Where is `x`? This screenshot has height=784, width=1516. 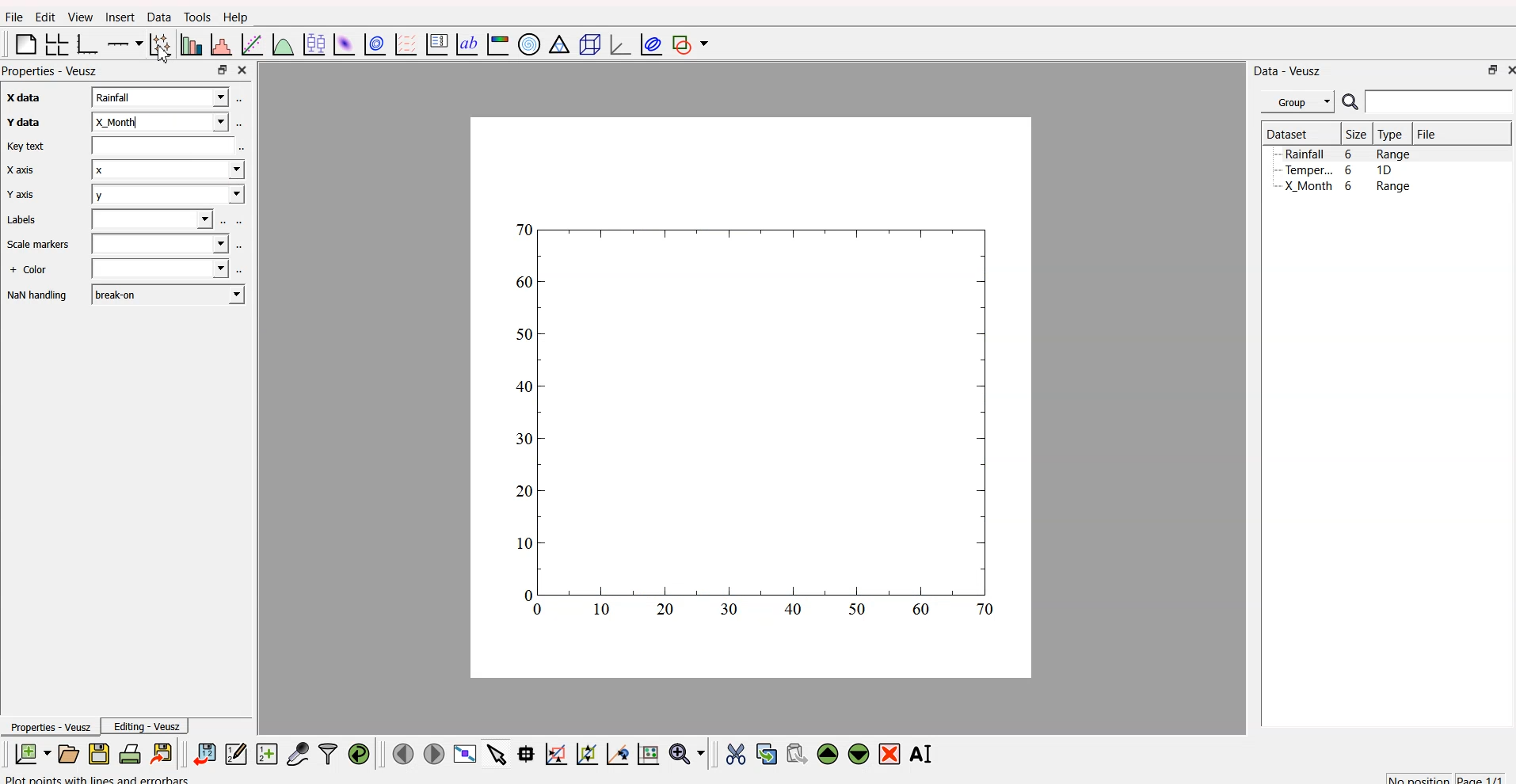 x is located at coordinates (168, 173).